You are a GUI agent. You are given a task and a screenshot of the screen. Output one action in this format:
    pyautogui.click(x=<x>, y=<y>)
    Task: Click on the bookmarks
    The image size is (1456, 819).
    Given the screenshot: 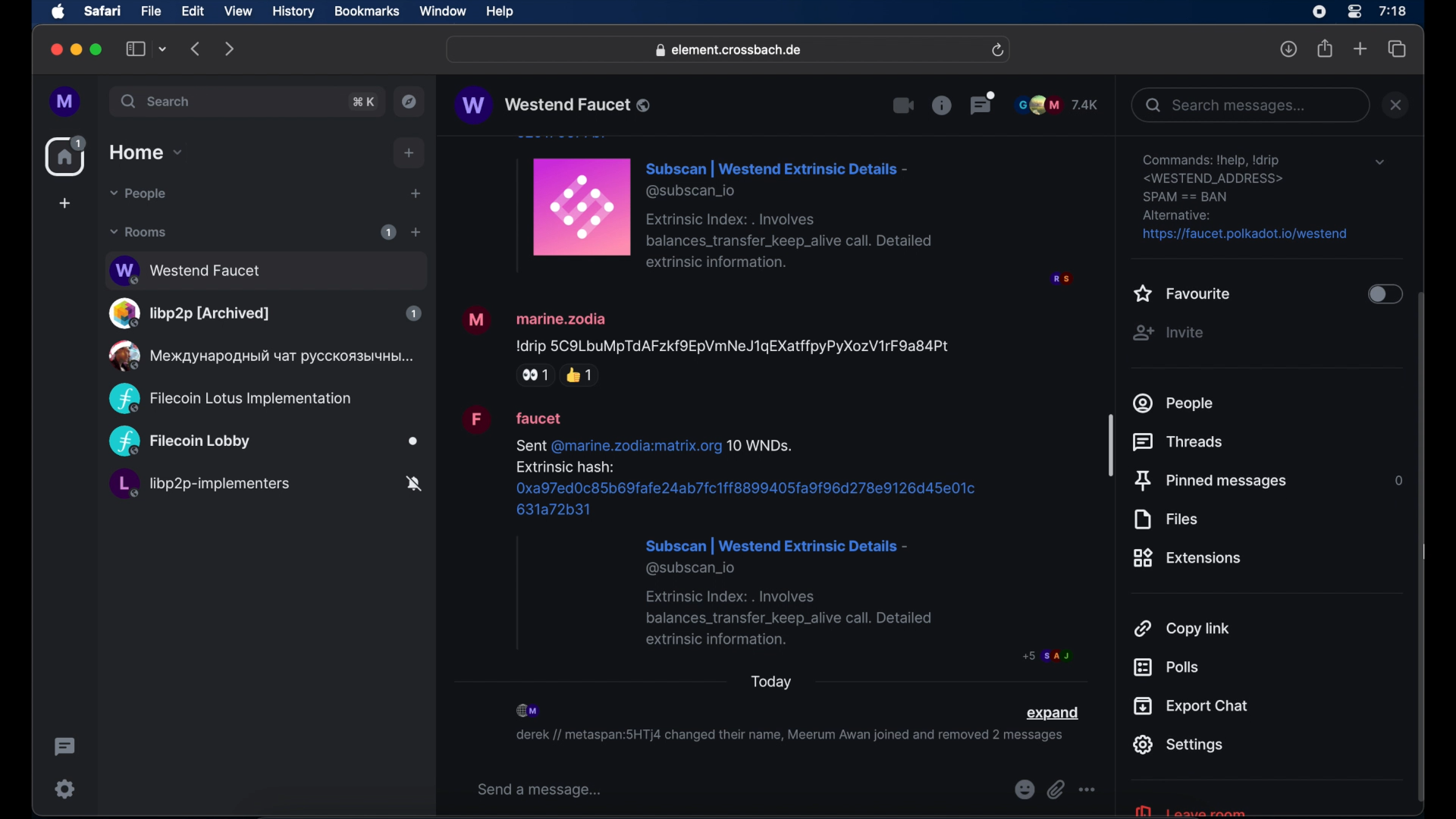 What is the action you would take?
    pyautogui.click(x=366, y=11)
    